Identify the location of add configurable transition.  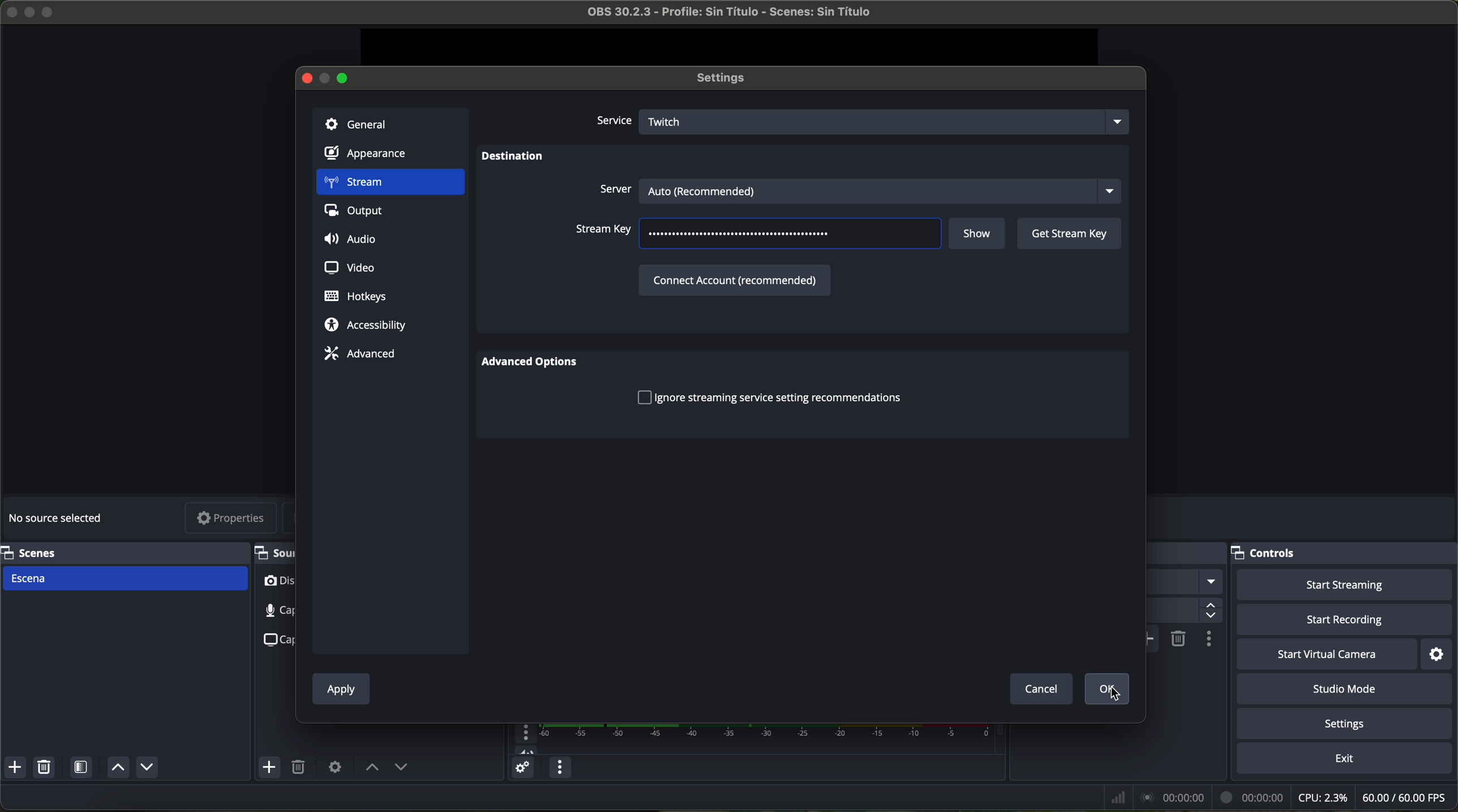
(1153, 639).